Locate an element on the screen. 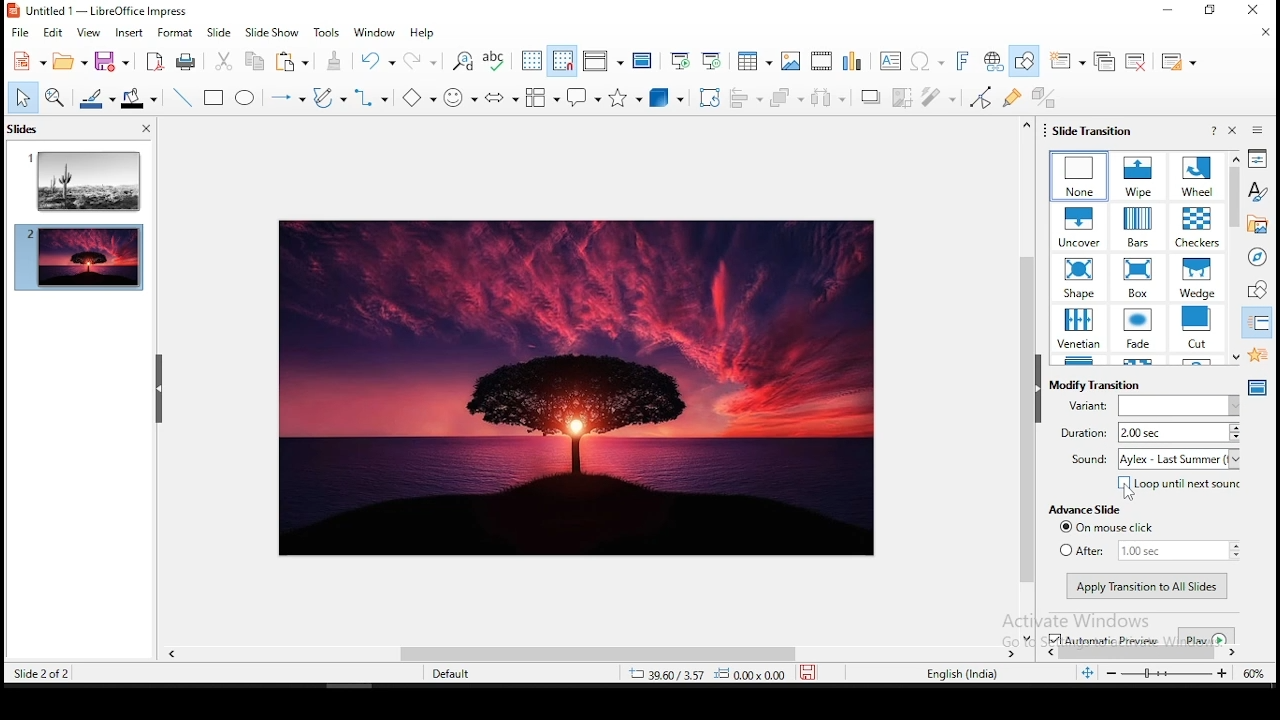 Image resolution: width=1280 pixels, height=720 pixels. close pane is located at coordinates (1231, 131).